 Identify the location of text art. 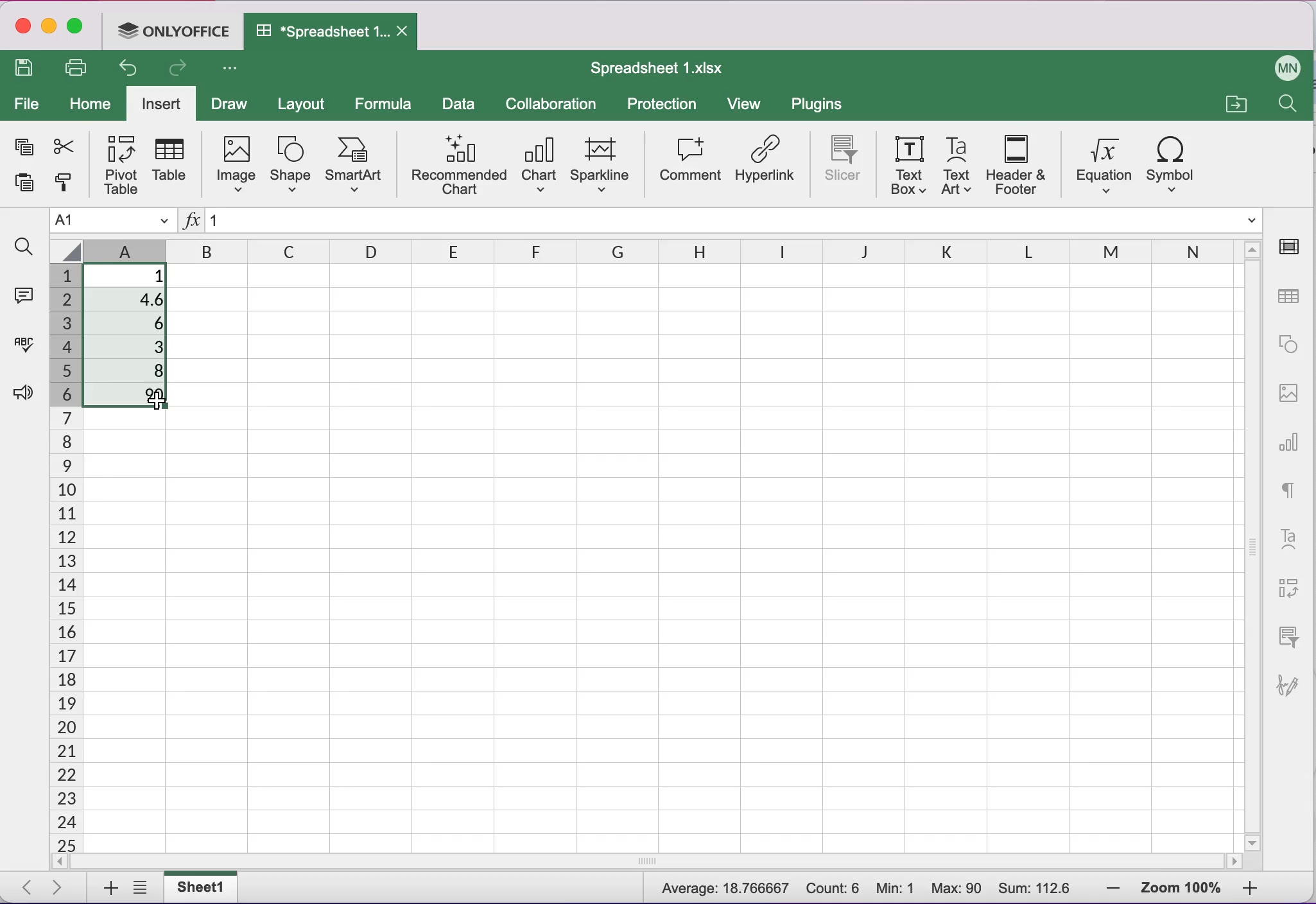
(1288, 542).